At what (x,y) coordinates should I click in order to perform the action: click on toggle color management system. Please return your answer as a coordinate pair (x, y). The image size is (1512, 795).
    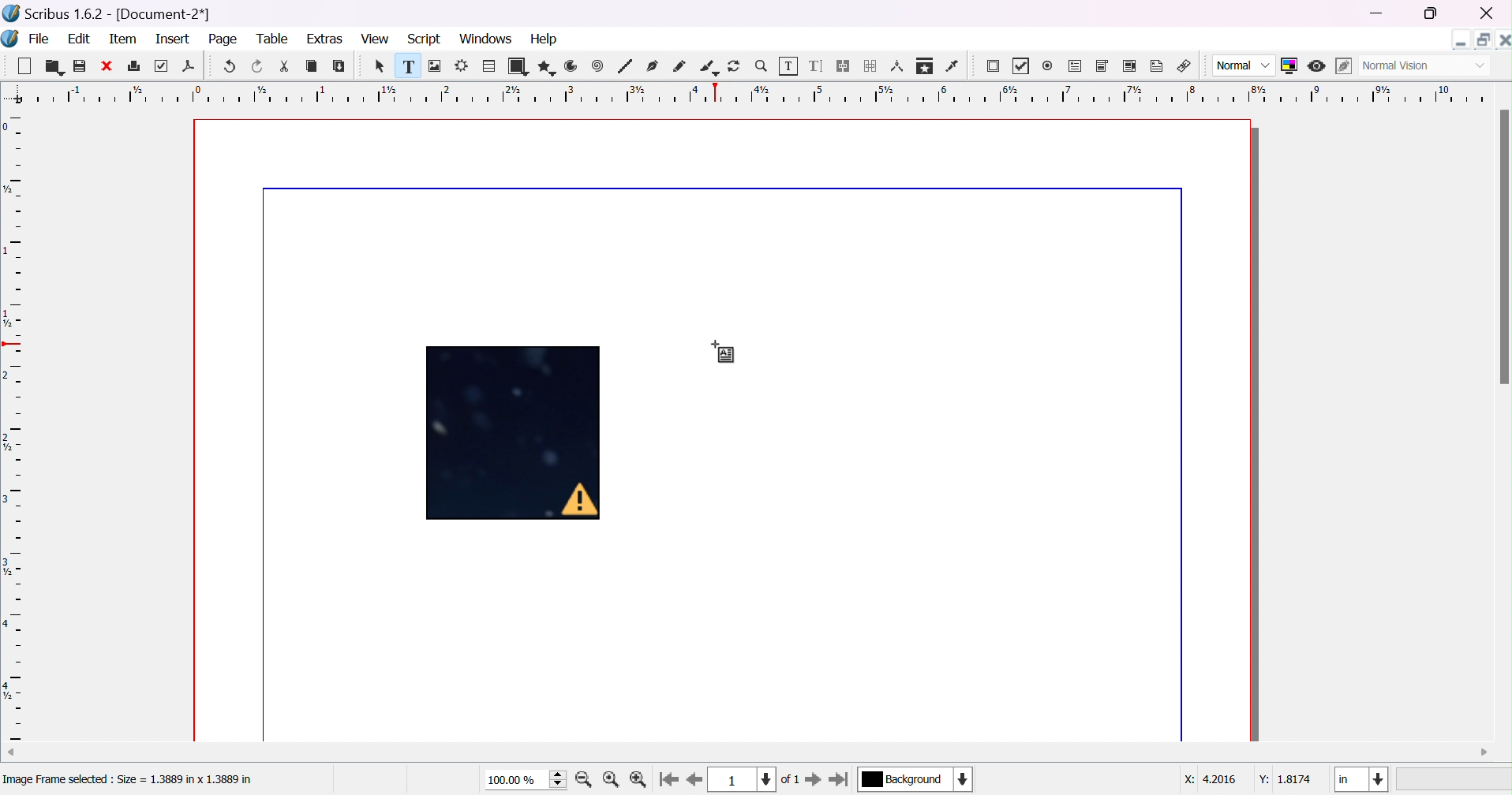
    Looking at the image, I should click on (1290, 65).